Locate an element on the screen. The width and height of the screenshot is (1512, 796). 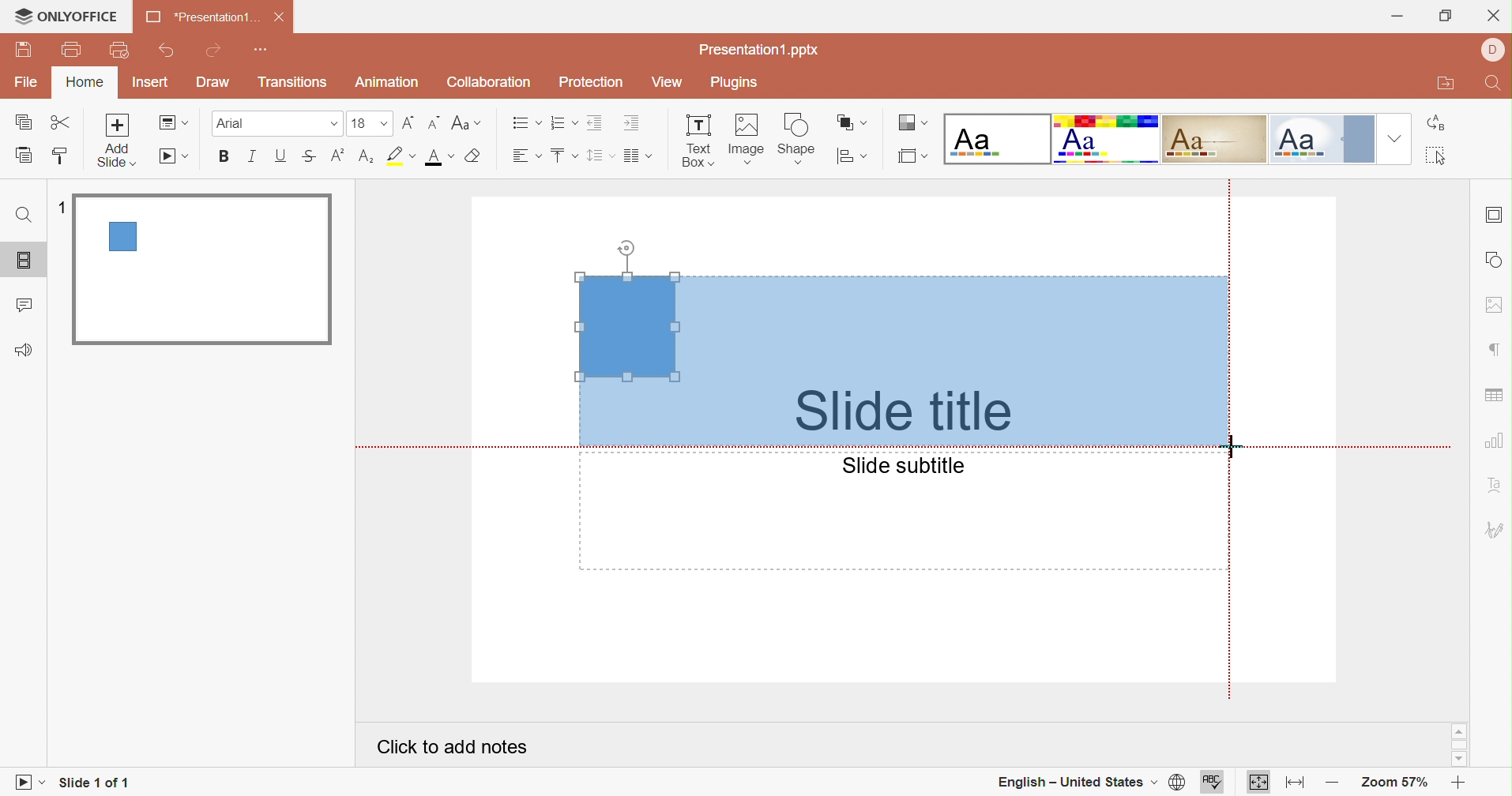
Slide is located at coordinates (202, 268).